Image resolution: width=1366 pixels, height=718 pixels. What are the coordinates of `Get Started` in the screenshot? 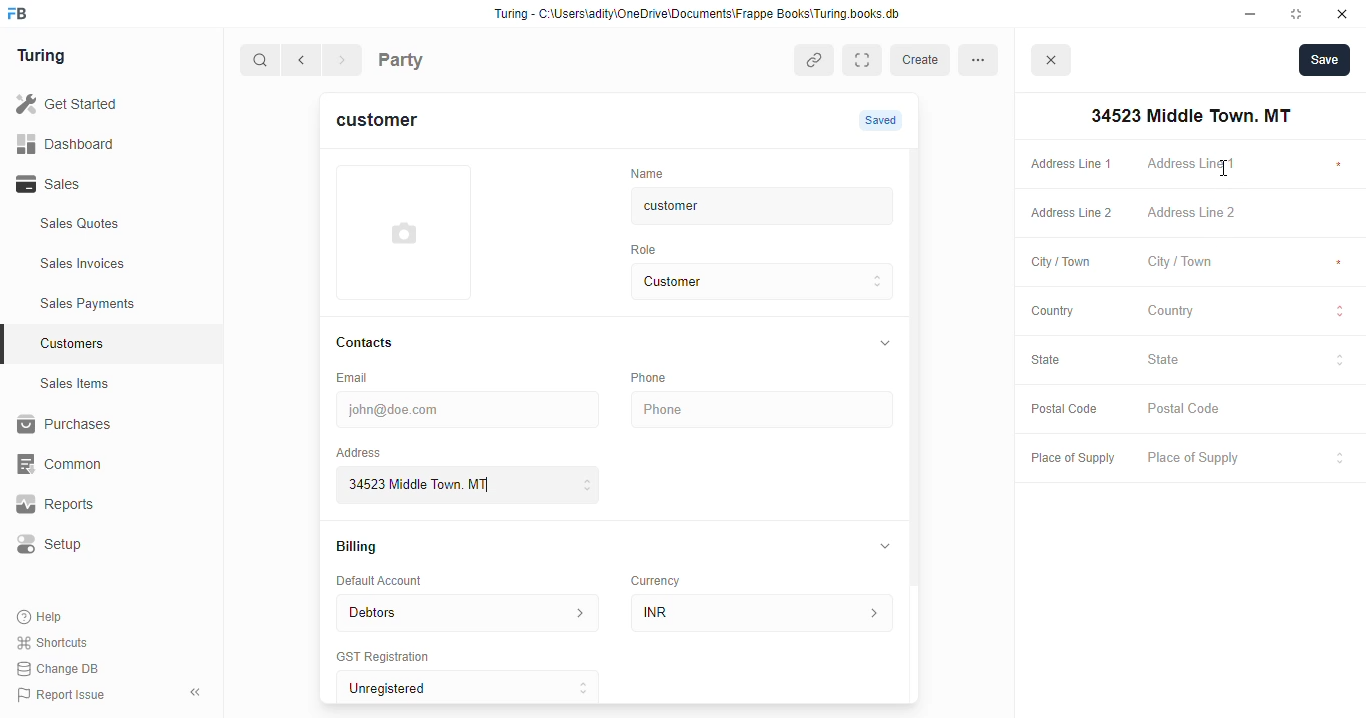 It's located at (93, 105).